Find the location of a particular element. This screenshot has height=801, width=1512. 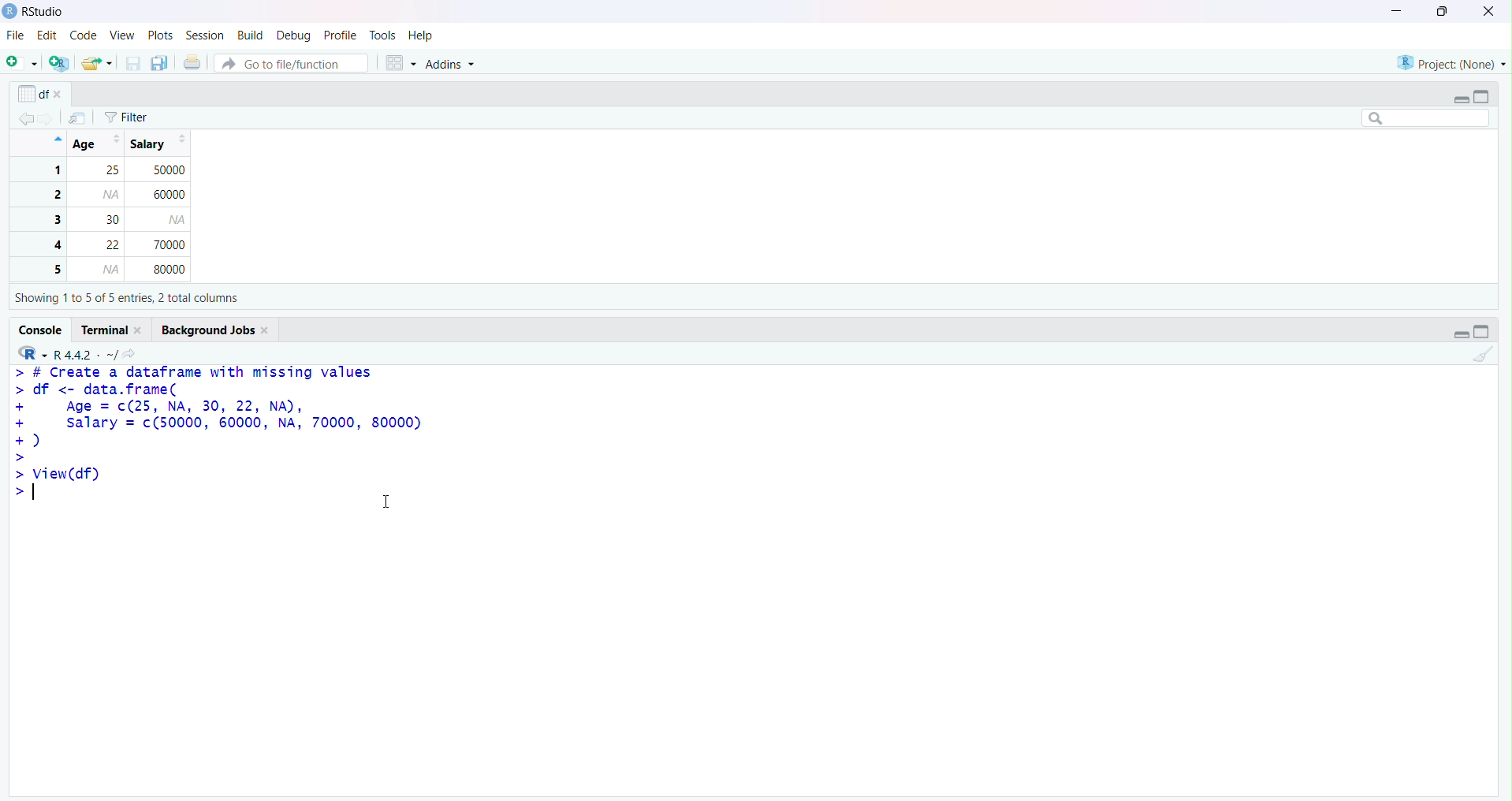

Maximize/Restore is located at coordinates (1483, 331).